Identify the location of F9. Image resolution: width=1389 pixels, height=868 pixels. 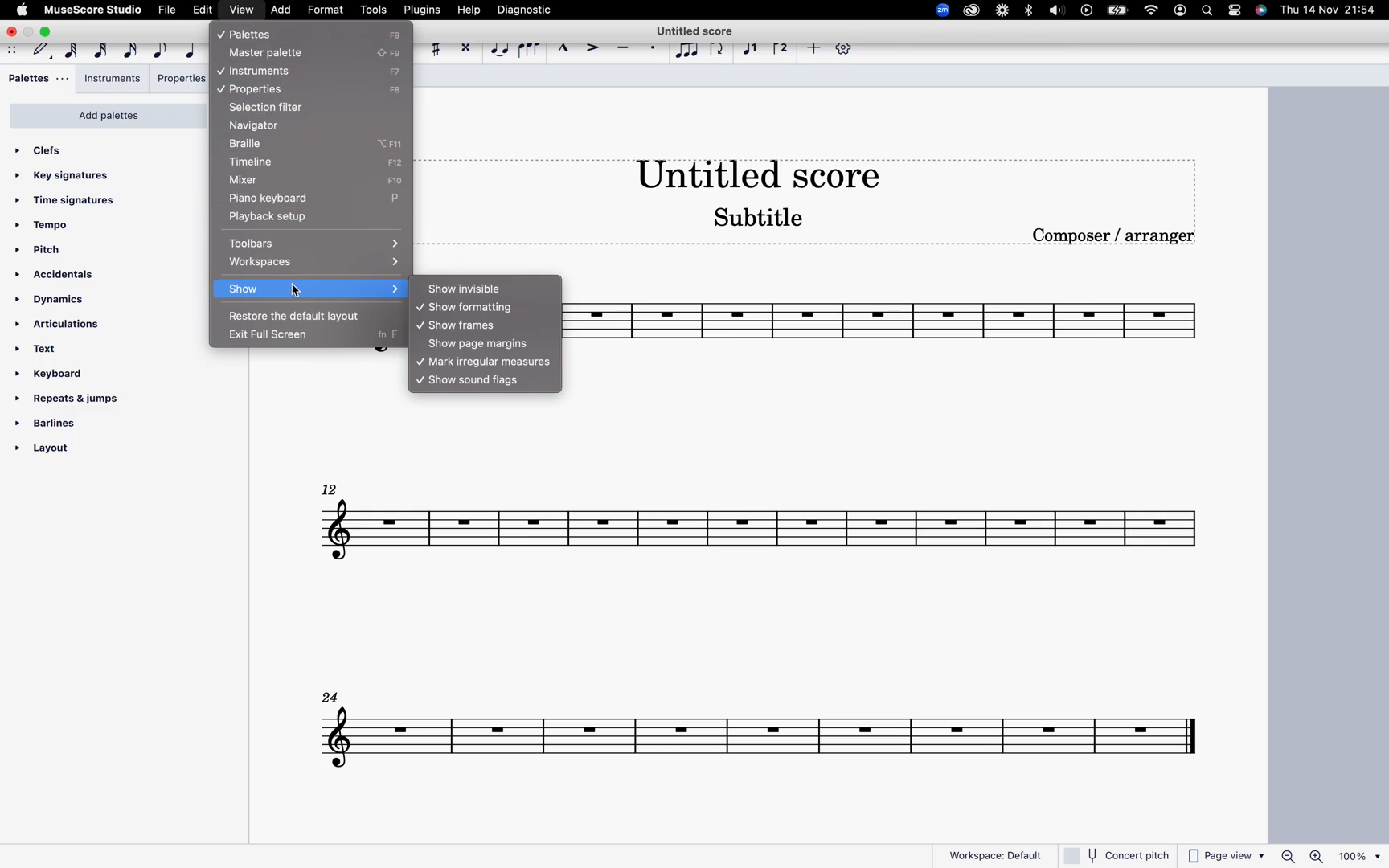
(391, 54).